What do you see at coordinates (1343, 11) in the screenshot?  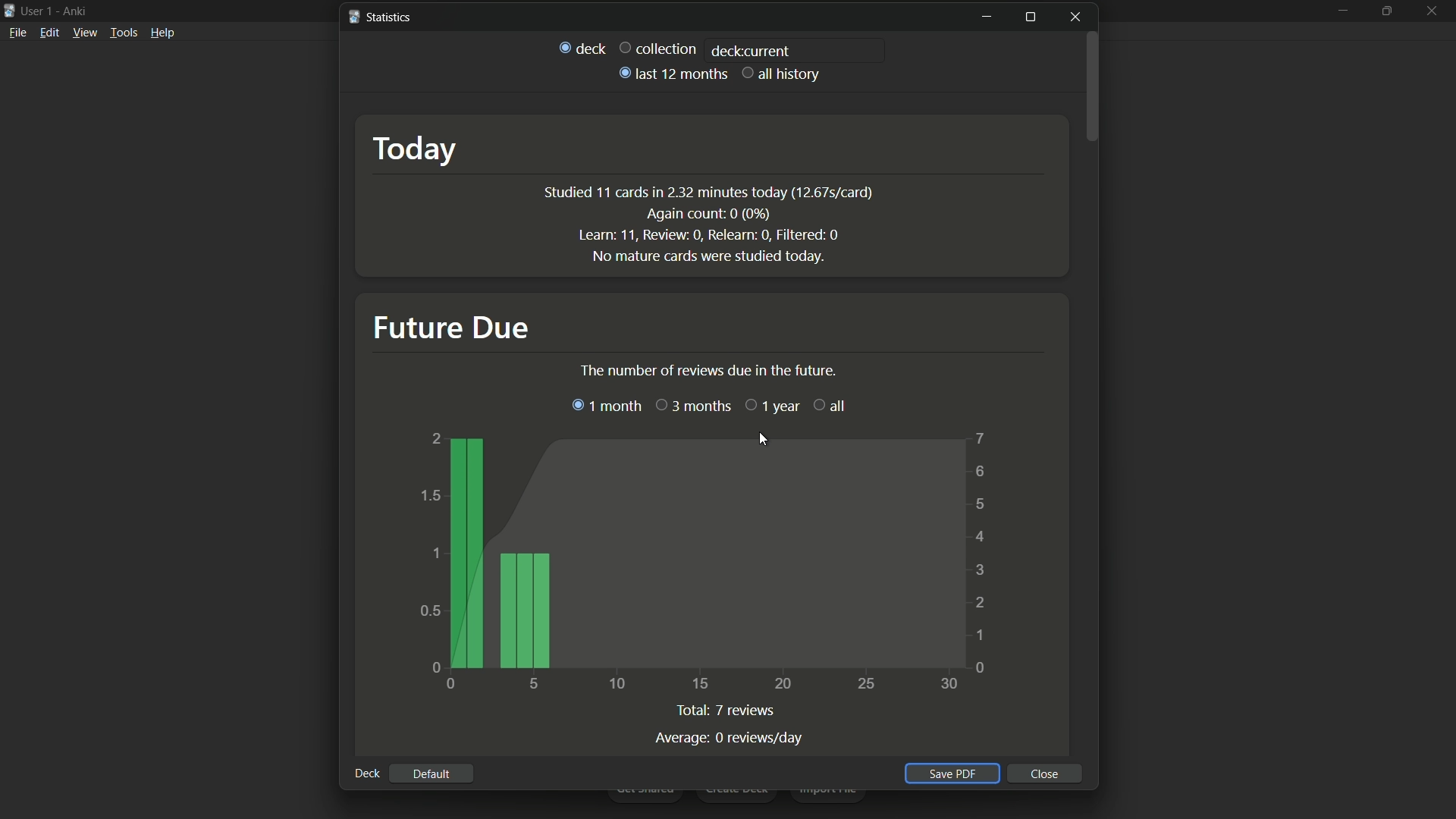 I see `minimize` at bounding box center [1343, 11].